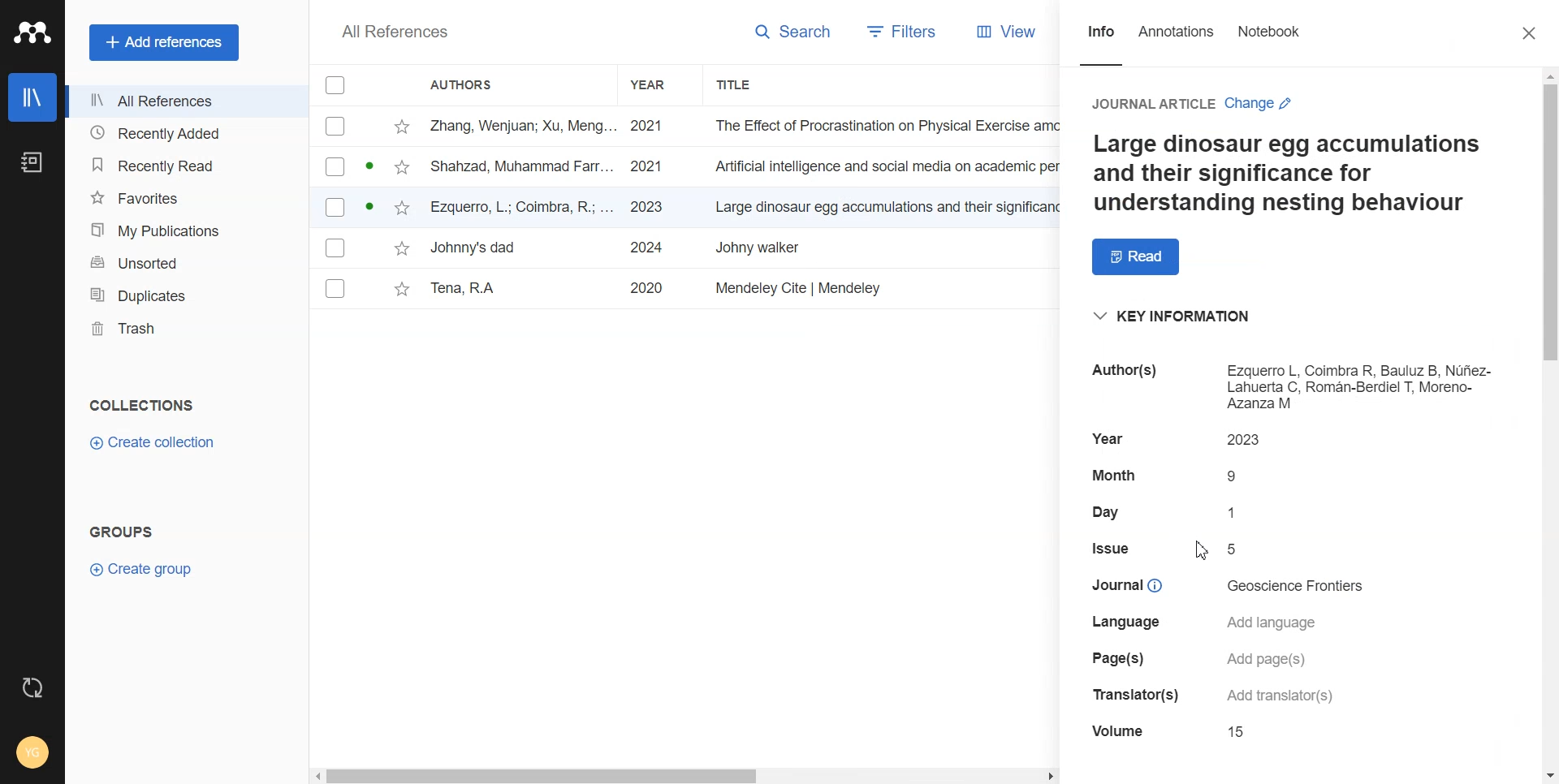 The width and height of the screenshot is (1559, 784). What do you see at coordinates (335, 248) in the screenshot?
I see `Checkbox` at bounding box center [335, 248].